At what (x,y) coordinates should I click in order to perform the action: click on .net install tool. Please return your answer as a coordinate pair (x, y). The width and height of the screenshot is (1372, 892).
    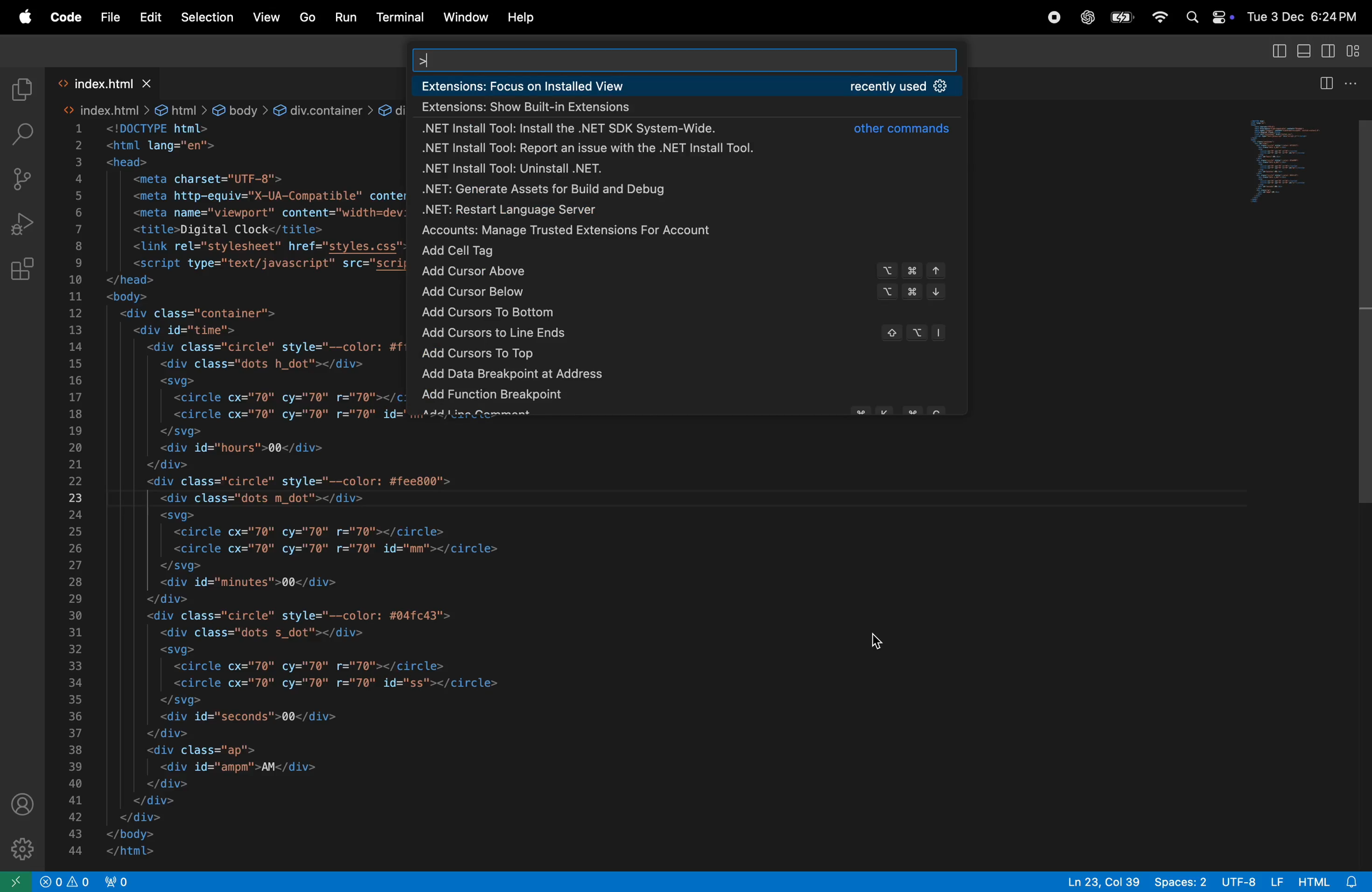
    Looking at the image, I should click on (689, 168).